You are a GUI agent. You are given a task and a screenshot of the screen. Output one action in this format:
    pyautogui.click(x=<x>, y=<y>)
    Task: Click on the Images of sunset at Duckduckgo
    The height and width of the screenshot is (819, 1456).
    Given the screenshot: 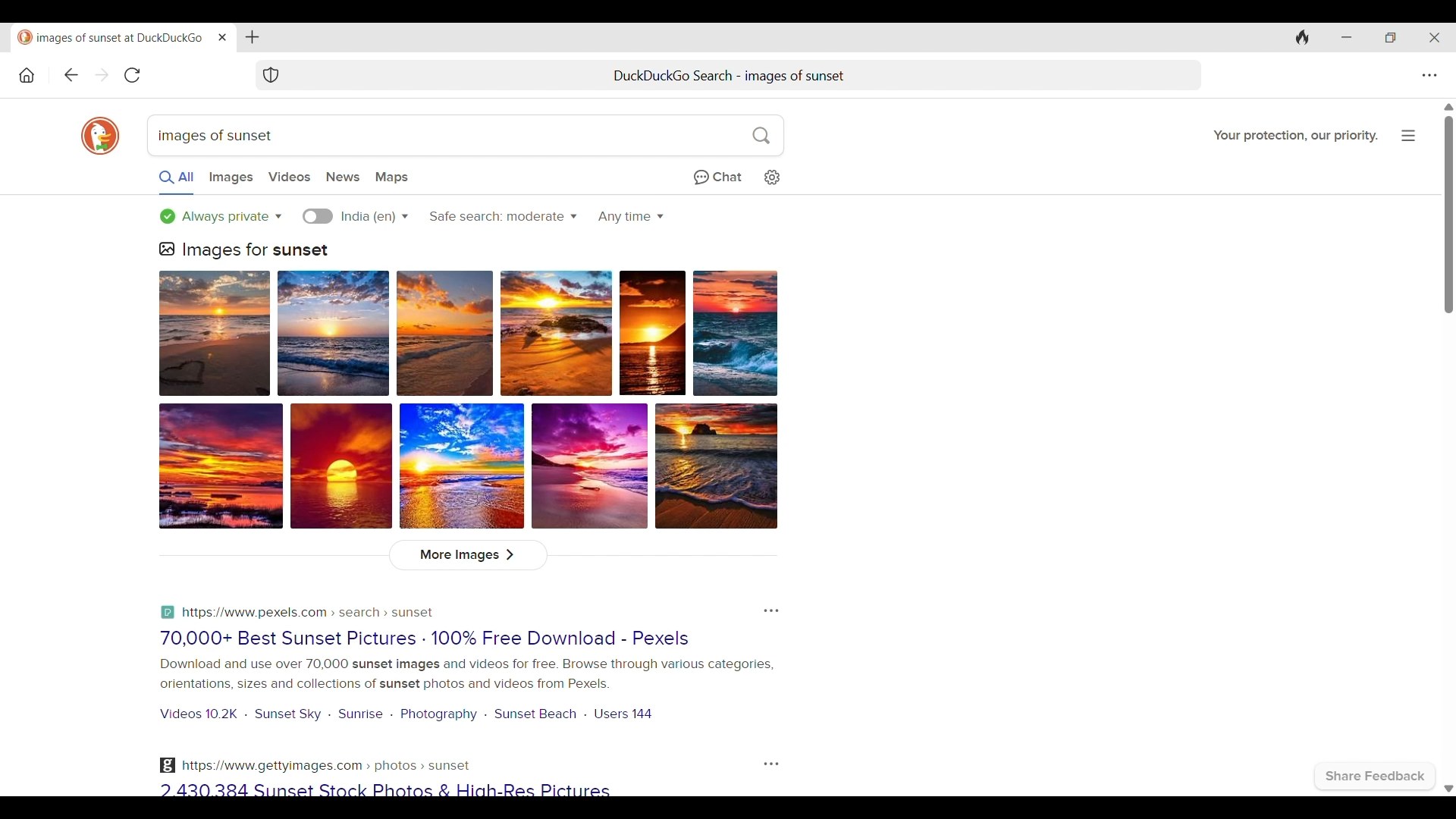 What is the action you would take?
    pyautogui.click(x=110, y=38)
    